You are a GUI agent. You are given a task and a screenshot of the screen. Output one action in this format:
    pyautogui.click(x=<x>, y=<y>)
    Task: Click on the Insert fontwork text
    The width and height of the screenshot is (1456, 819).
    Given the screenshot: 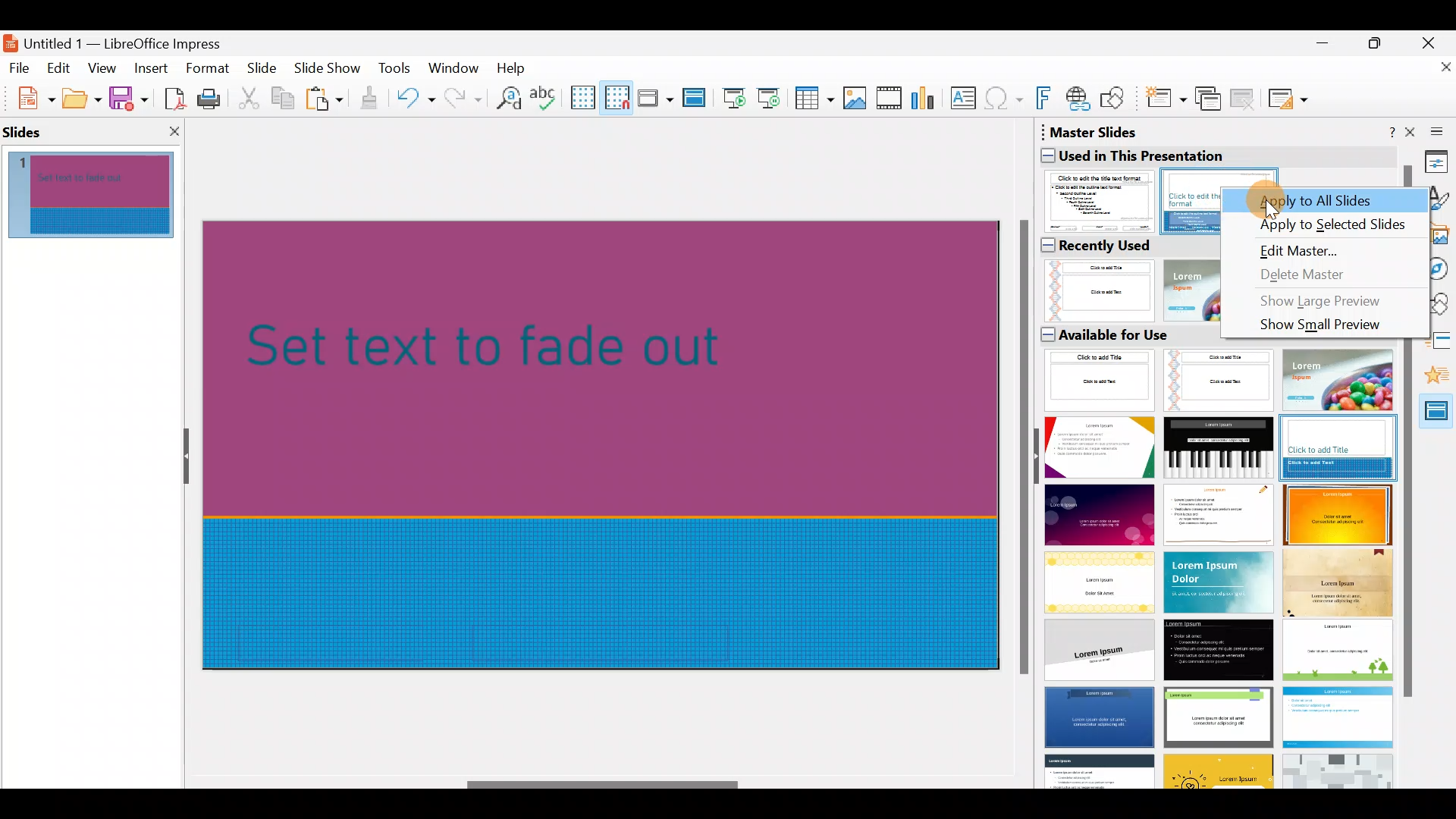 What is the action you would take?
    pyautogui.click(x=1046, y=101)
    